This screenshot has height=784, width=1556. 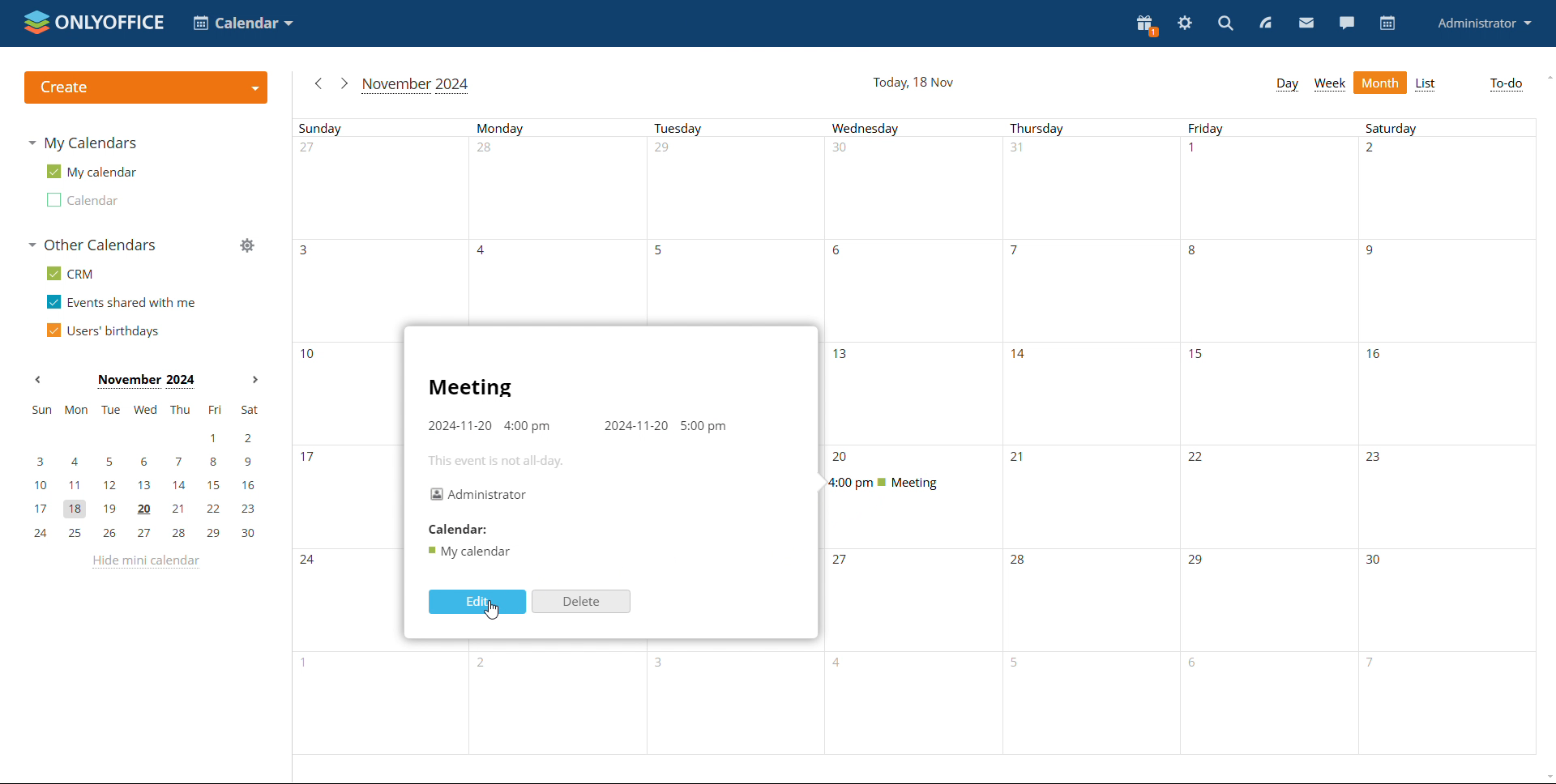 What do you see at coordinates (493, 610) in the screenshot?
I see `cursor` at bounding box center [493, 610].